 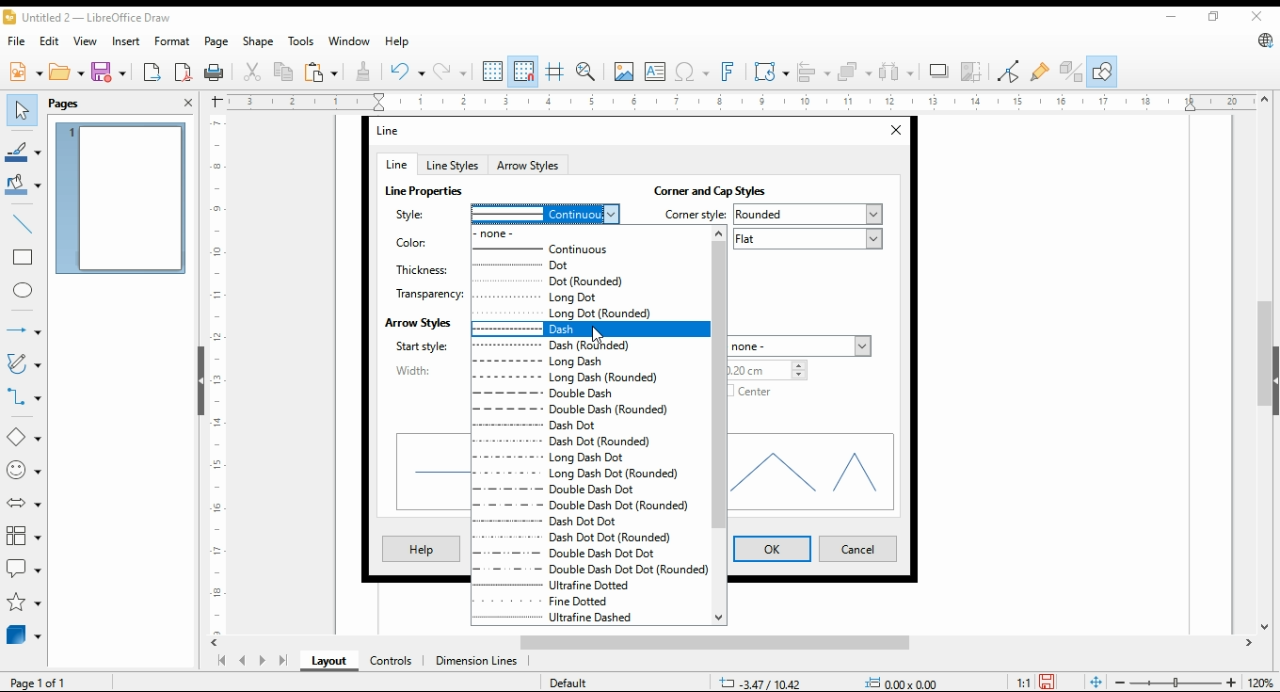 What do you see at coordinates (565, 522) in the screenshot?
I see `dash dot dot` at bounding box center [565, 522].